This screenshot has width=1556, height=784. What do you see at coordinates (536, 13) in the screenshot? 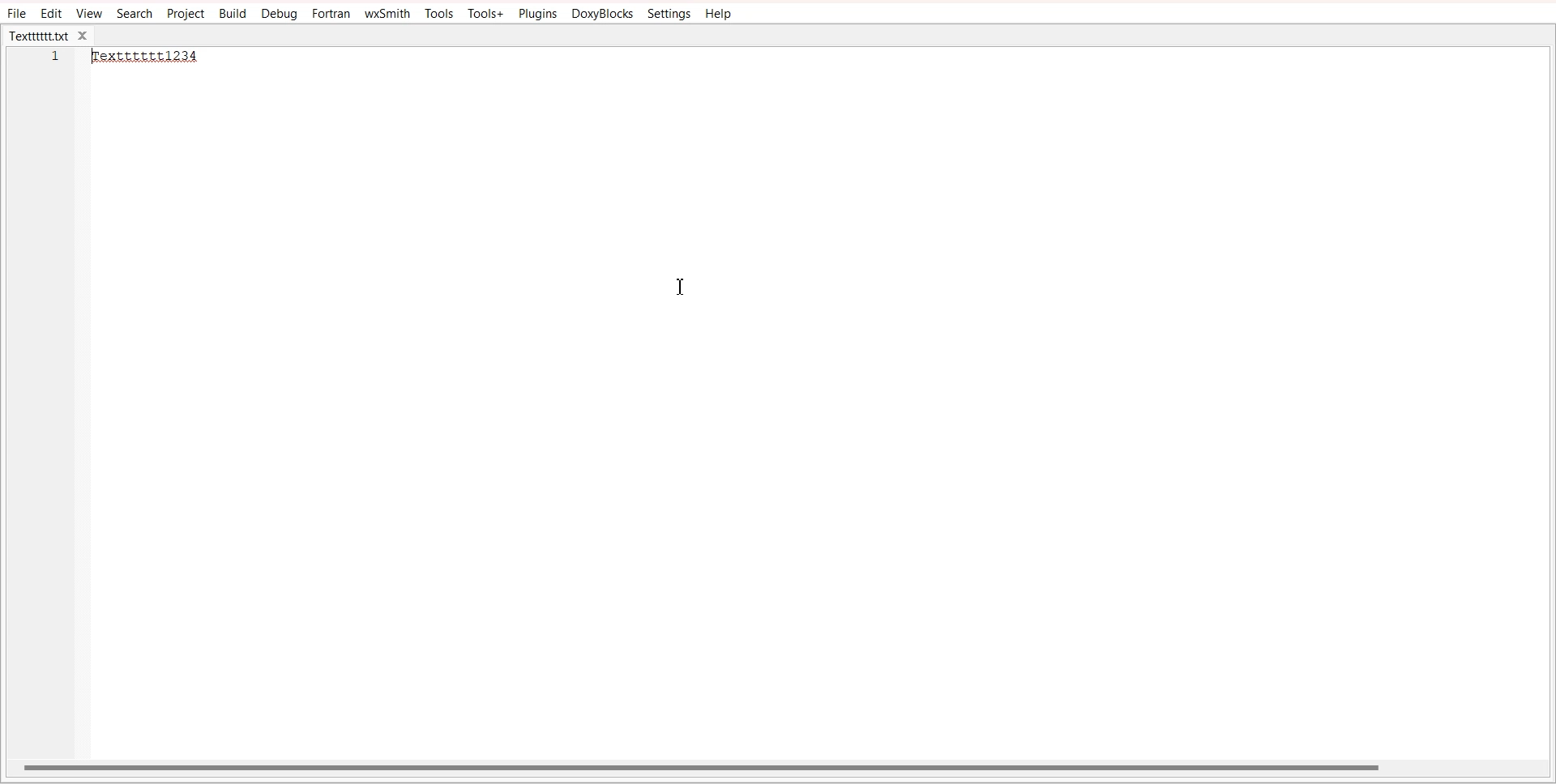
I see `Plugins` at bounding box center [536, 13].